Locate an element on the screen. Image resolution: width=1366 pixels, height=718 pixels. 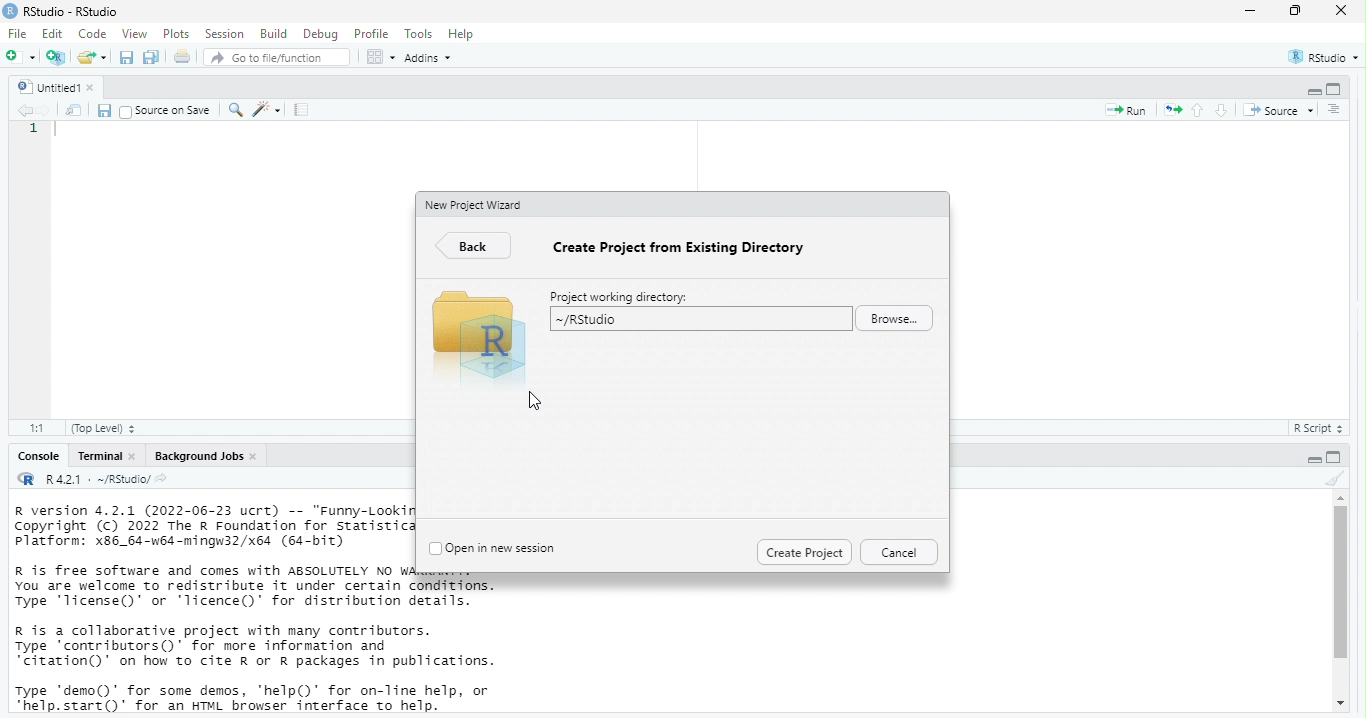
project working directory is located at coordinates (625, 294).